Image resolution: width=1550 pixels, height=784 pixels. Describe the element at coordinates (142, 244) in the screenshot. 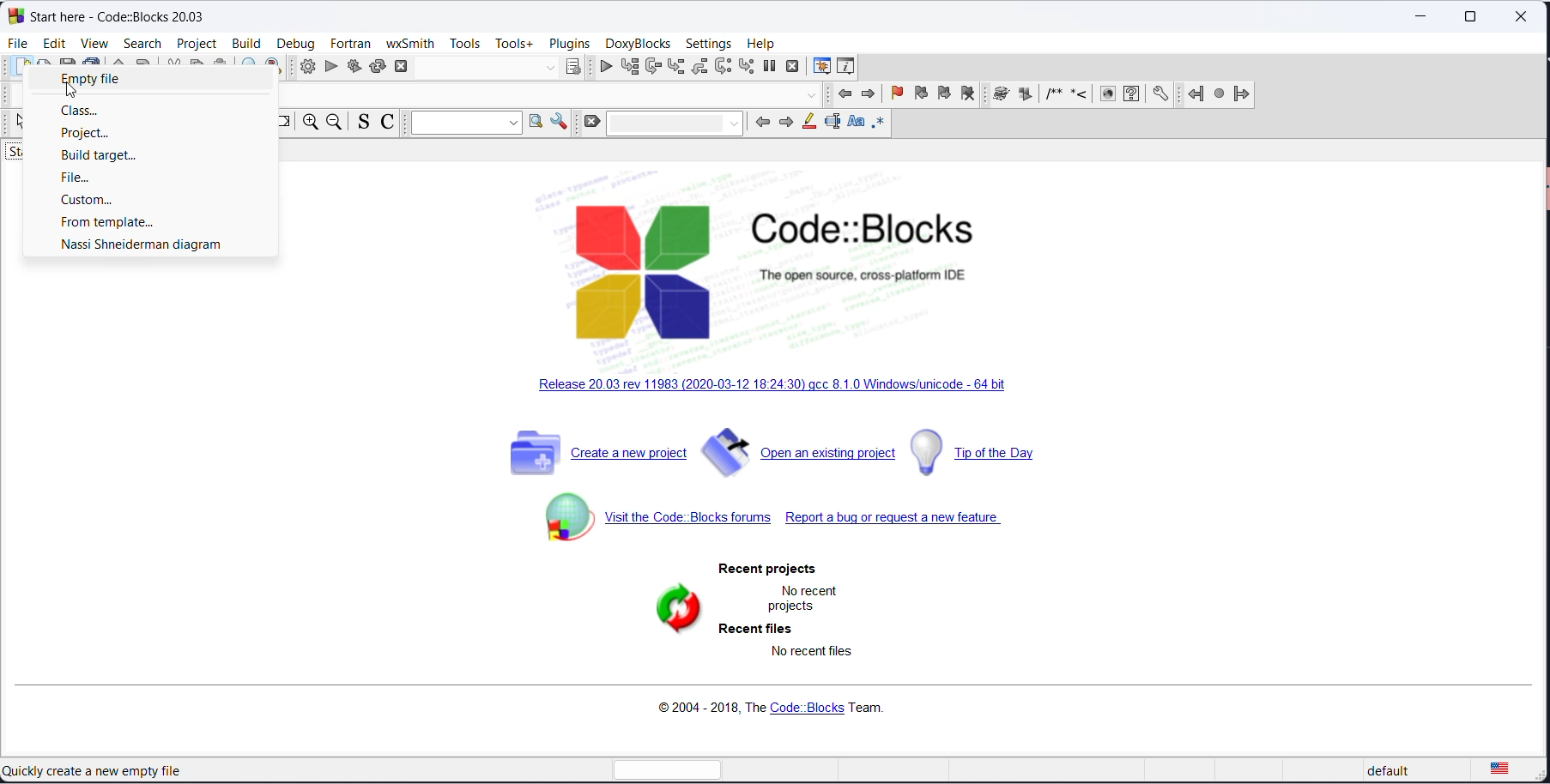

I see `nassi shneiderman diagram` at that location.